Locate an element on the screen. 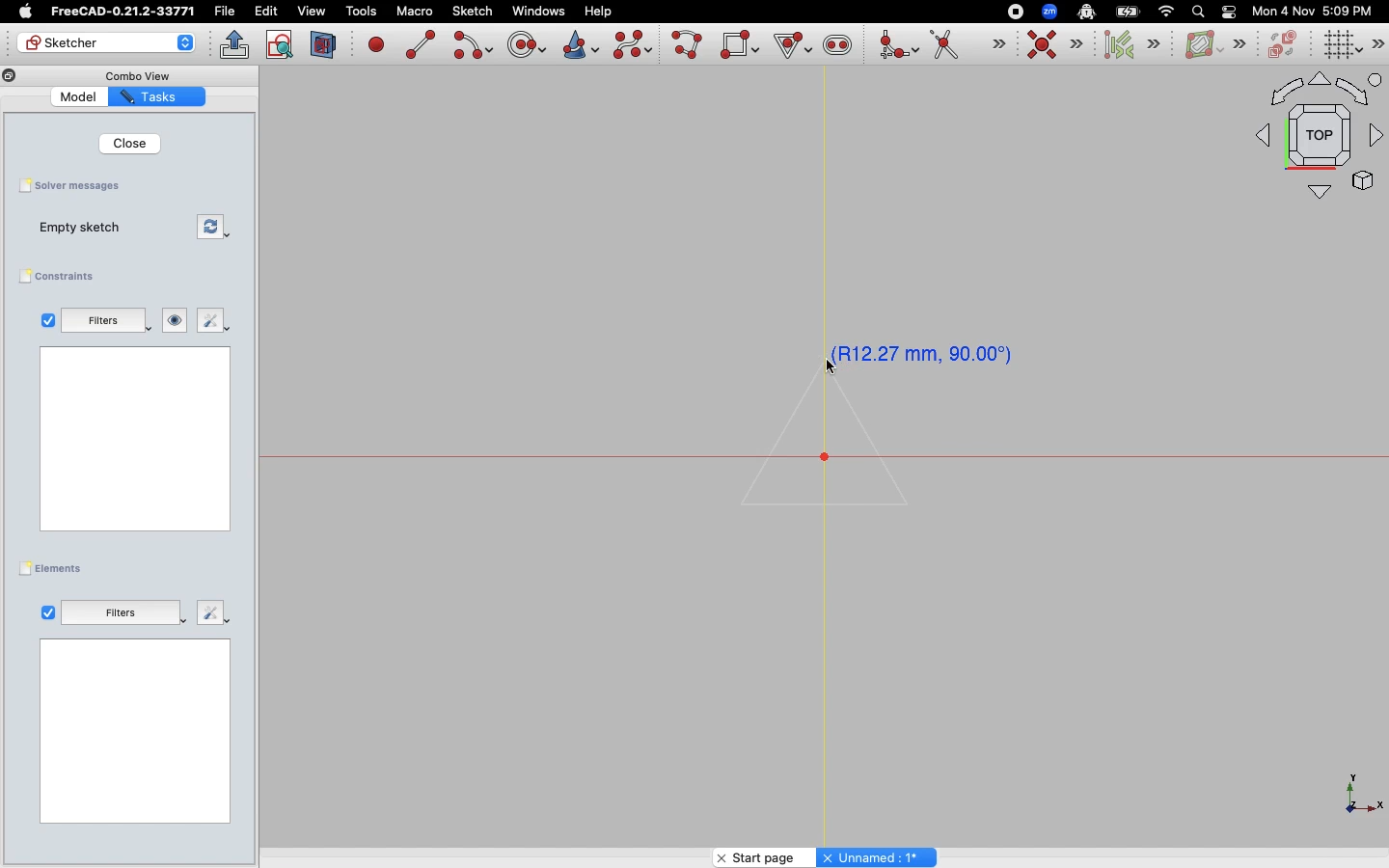 This screenshot has height=868, width=1389. FreeCAD-0.21.2-33771 is located at coordinates (123, 12).